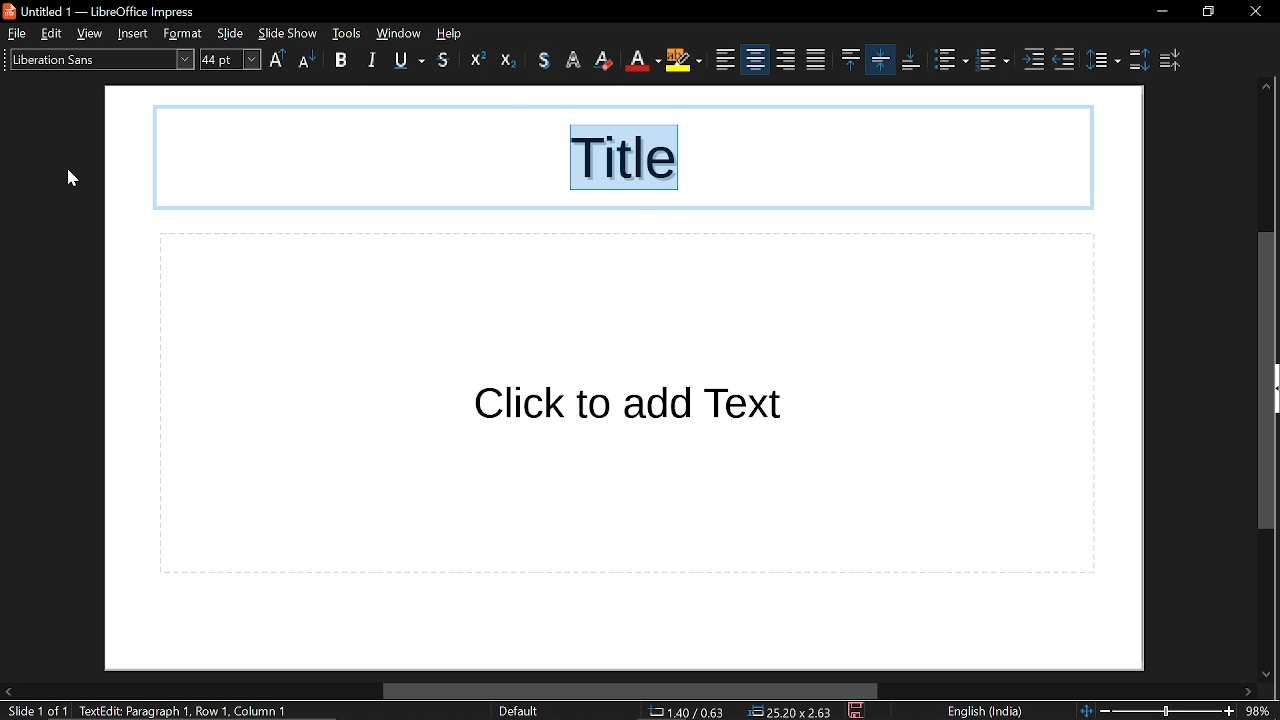 This screenshot has height=720, width=1280. I want to click on save, so click(858, 712).